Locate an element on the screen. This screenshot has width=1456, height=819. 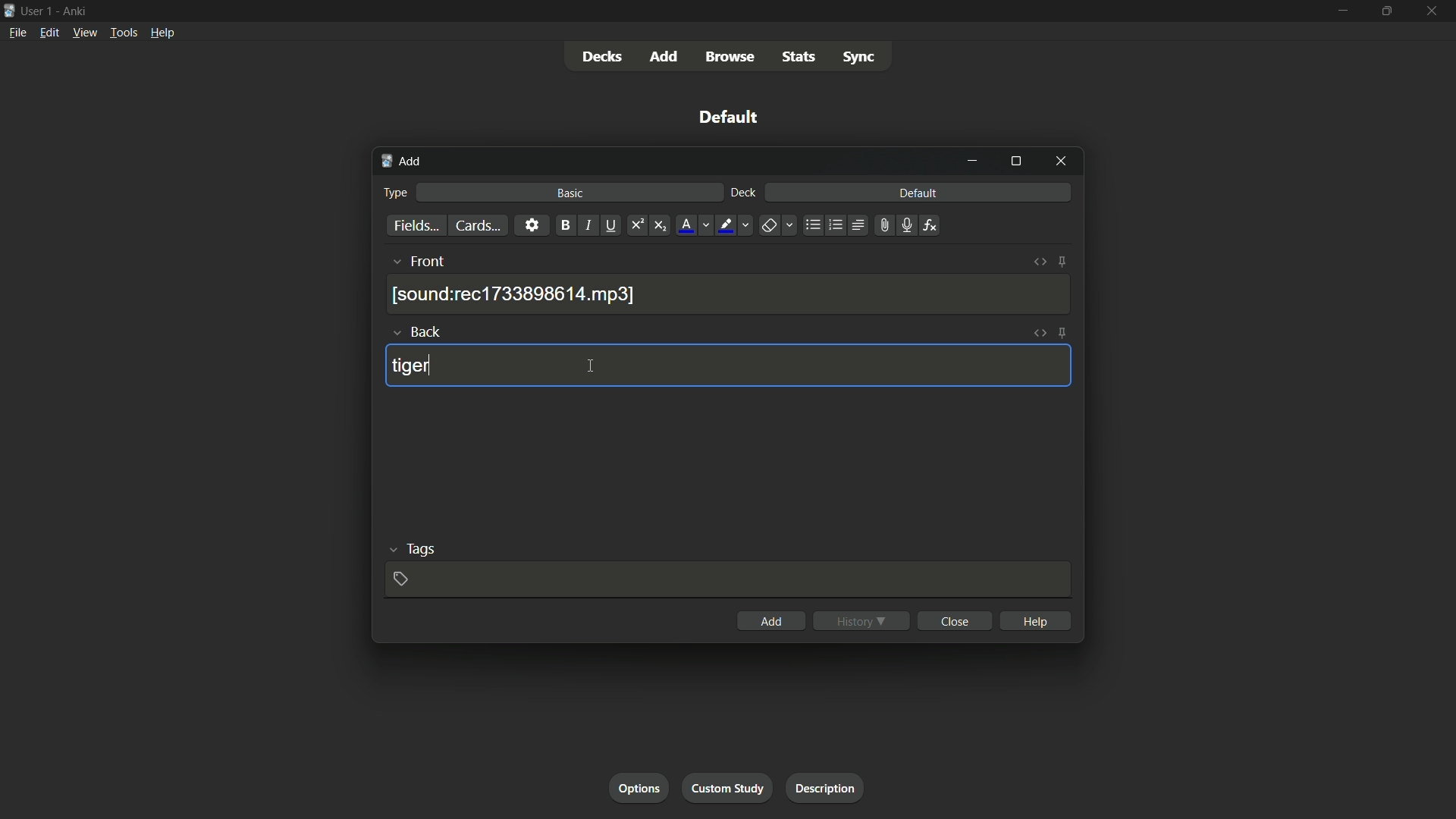
basic is located at coordinates (570, 193).